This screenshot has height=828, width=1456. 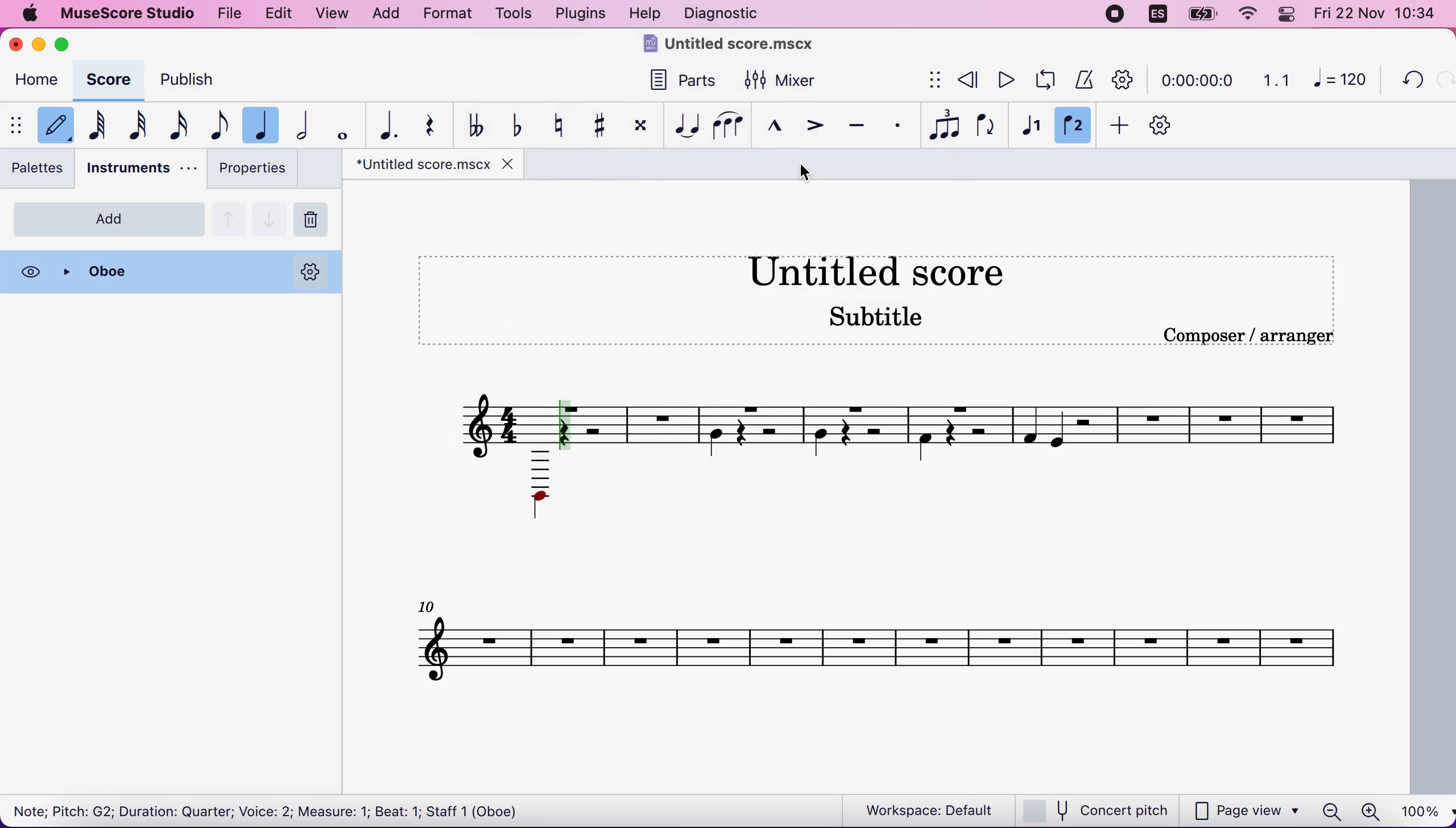 I want to click on language, so click(x=1155, y=15).